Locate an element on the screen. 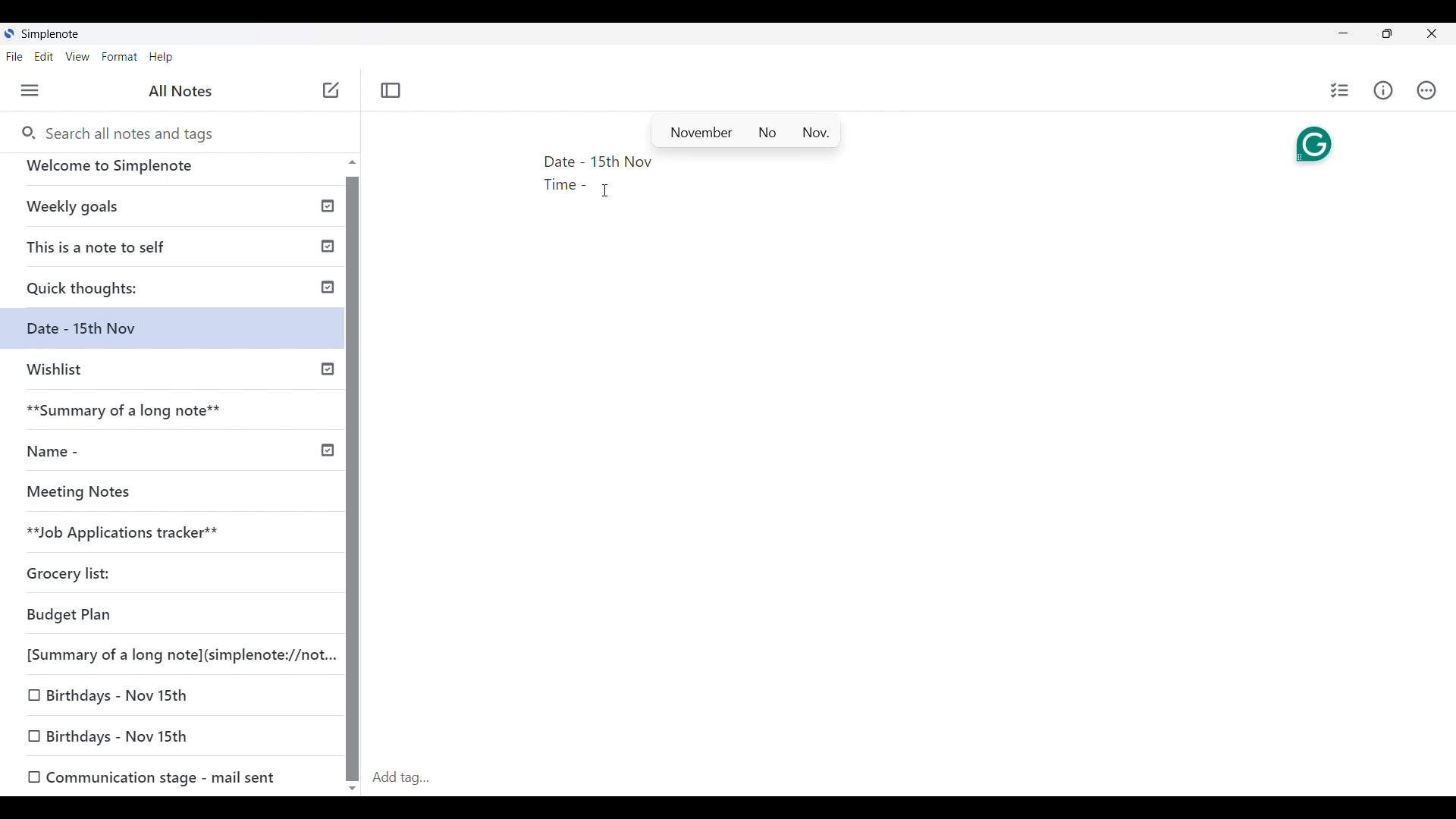 This screenshot has height=819, width=1456. Help menu is located at coordinates (162, 57).